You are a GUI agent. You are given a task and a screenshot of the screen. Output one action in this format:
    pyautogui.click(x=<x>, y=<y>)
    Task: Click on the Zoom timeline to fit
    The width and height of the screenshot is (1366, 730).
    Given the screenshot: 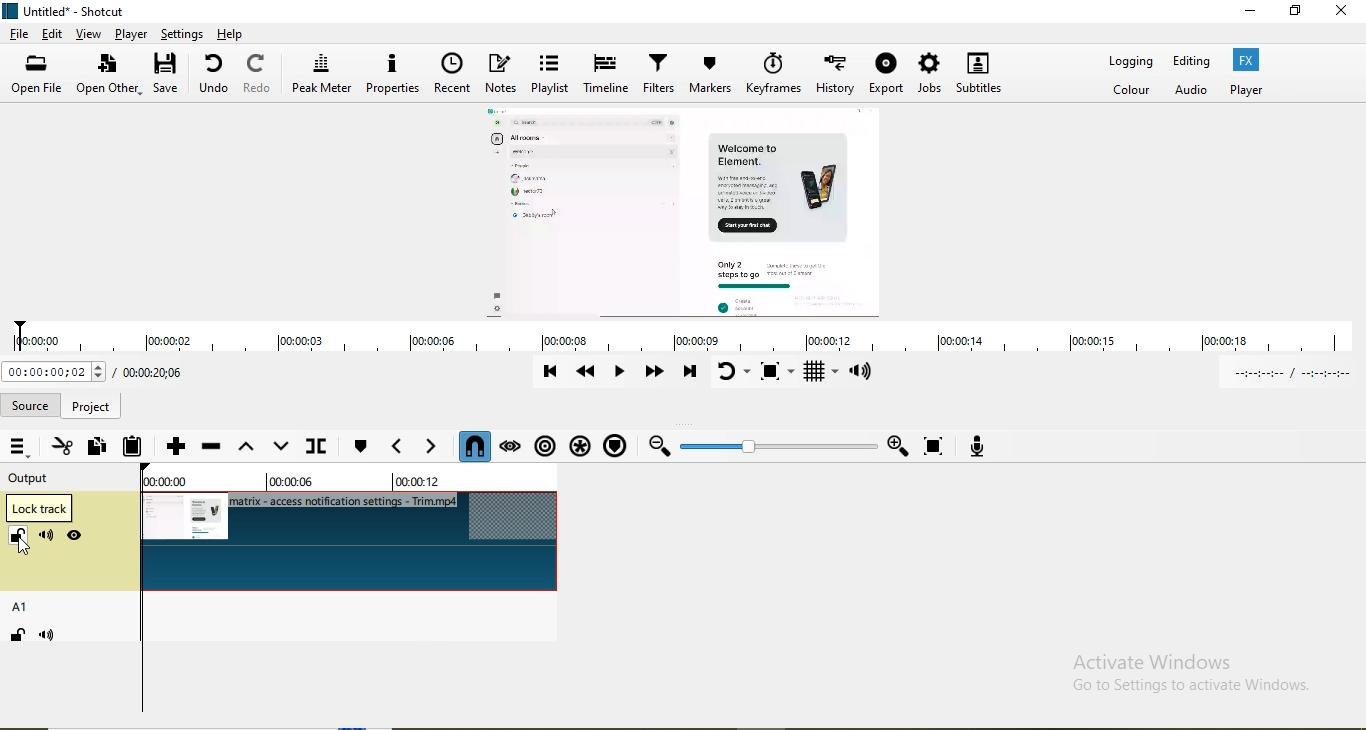 What is the action you would take?
    pyautogui.click(x=936, y=447)
    